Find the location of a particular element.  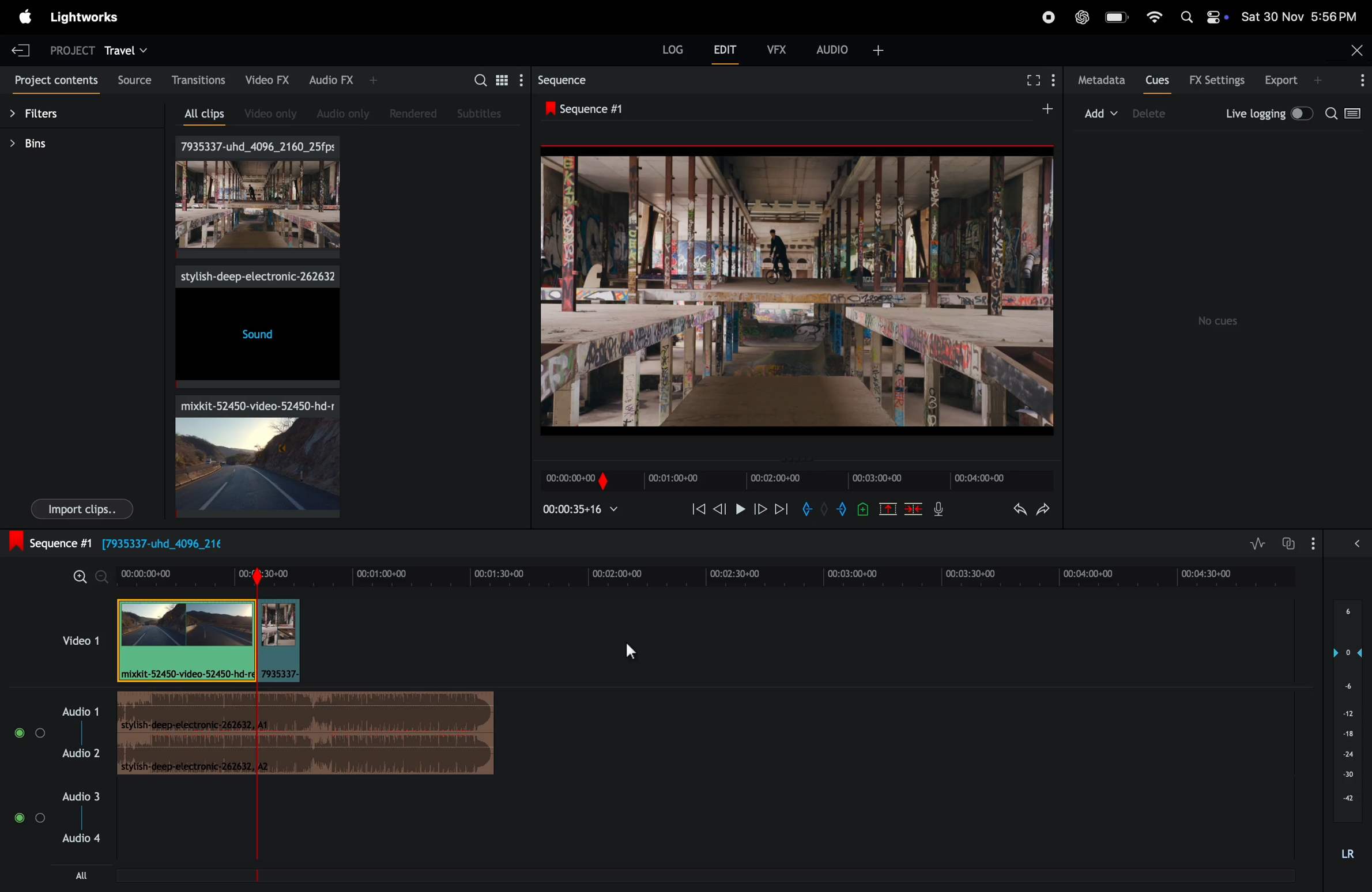

import clips is located at coordinates (82, 510).